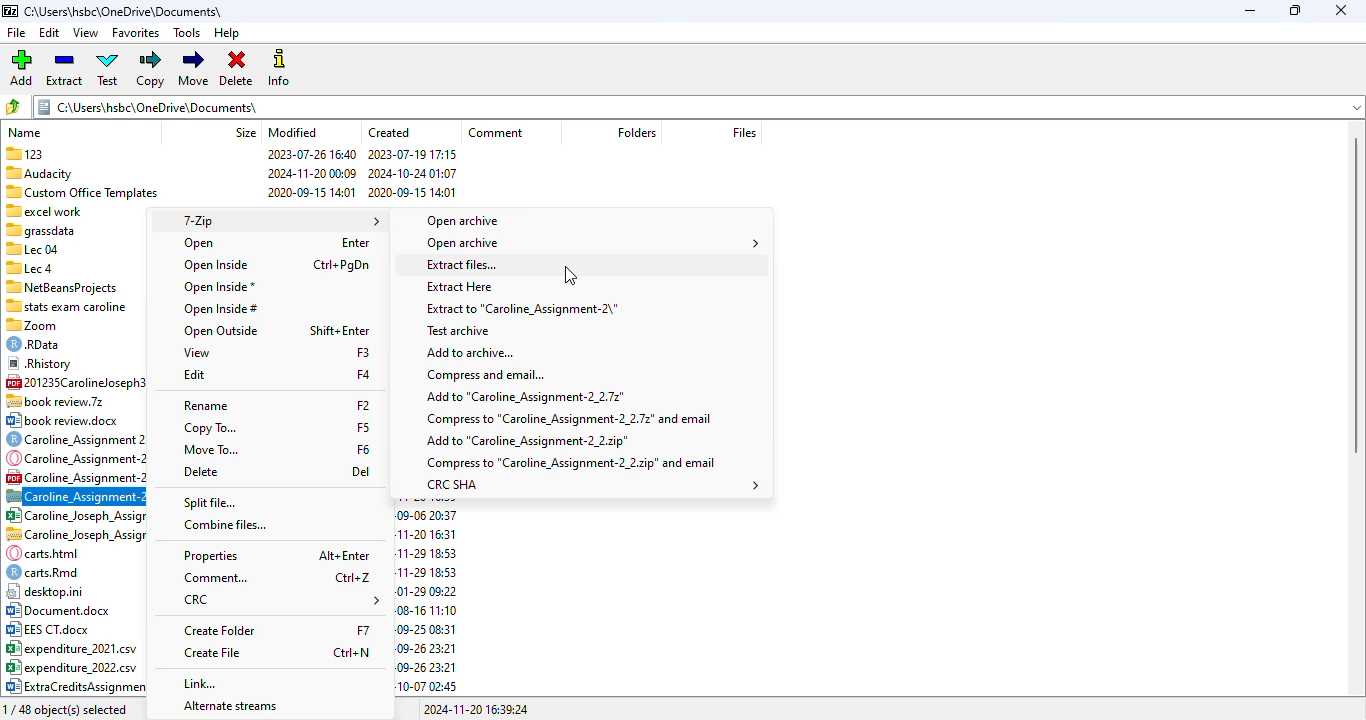 The image size is (1366, 720). Describe the element at coordinates (365, 375) in the screenshot. I see `shortcut for edit` at that location.